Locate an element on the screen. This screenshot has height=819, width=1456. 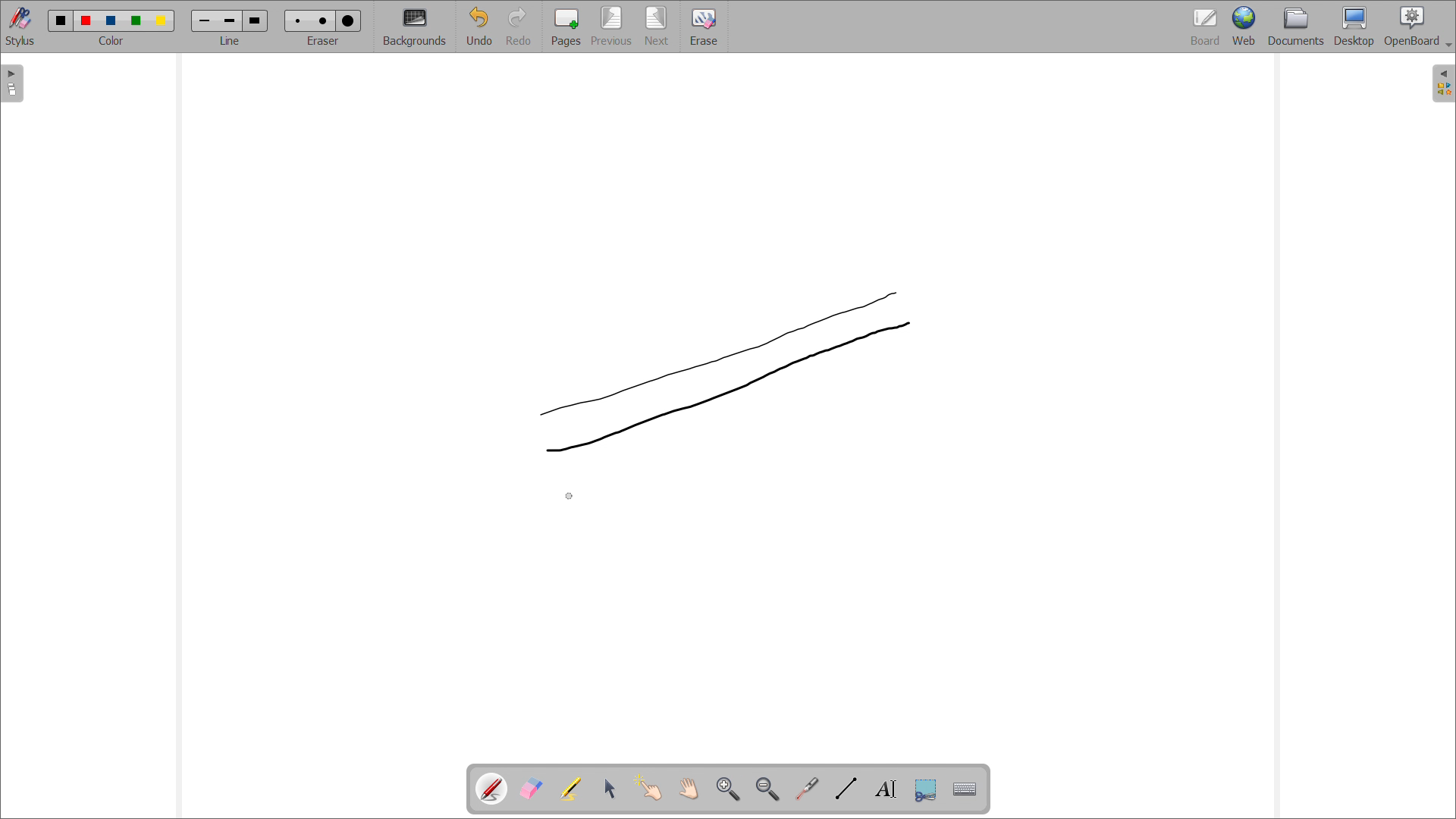
highlights is located at coordinates (571, 789).